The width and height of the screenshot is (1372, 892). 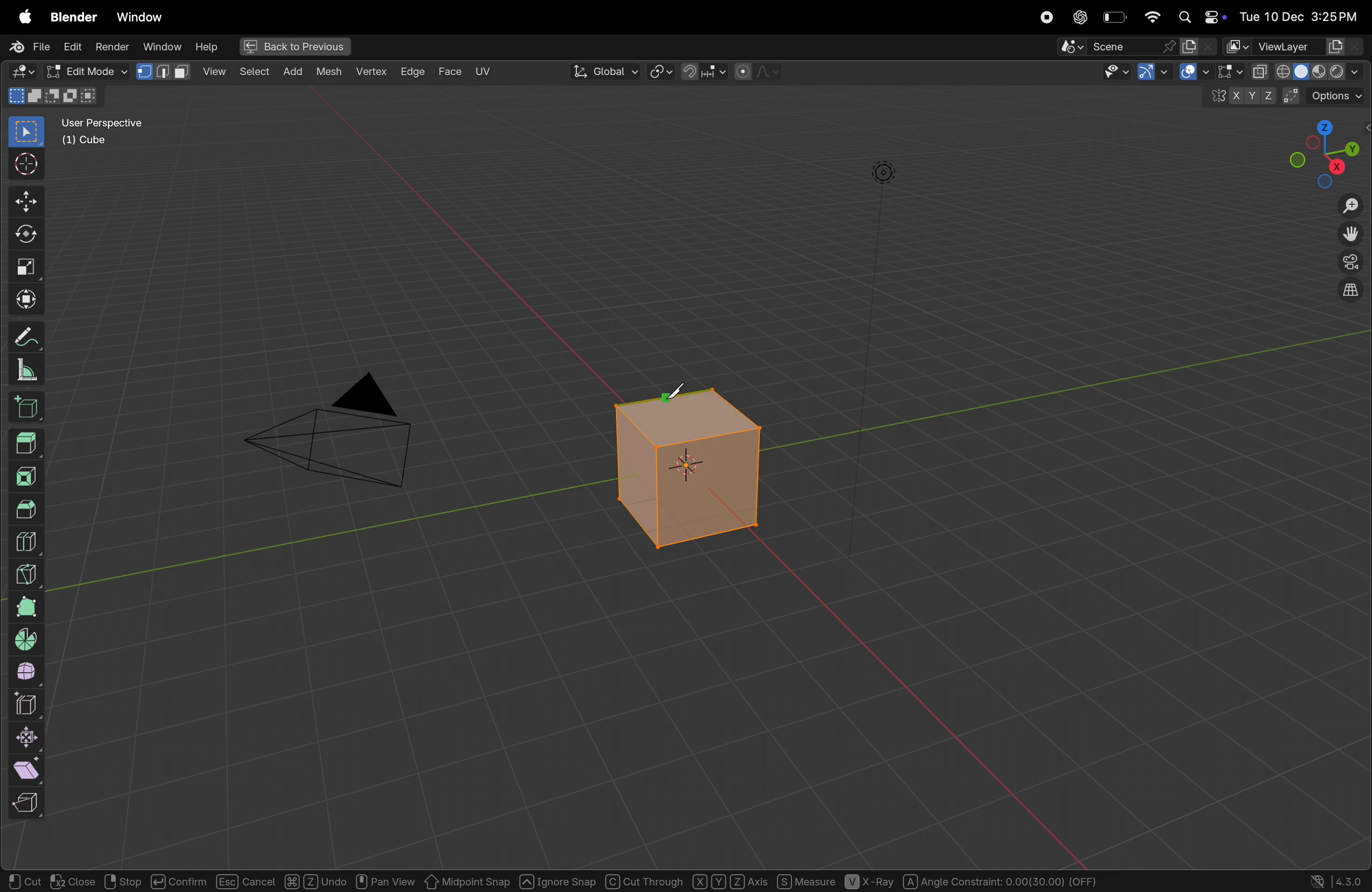 I want to click on toggle camera, so click(x=1349, y=263).